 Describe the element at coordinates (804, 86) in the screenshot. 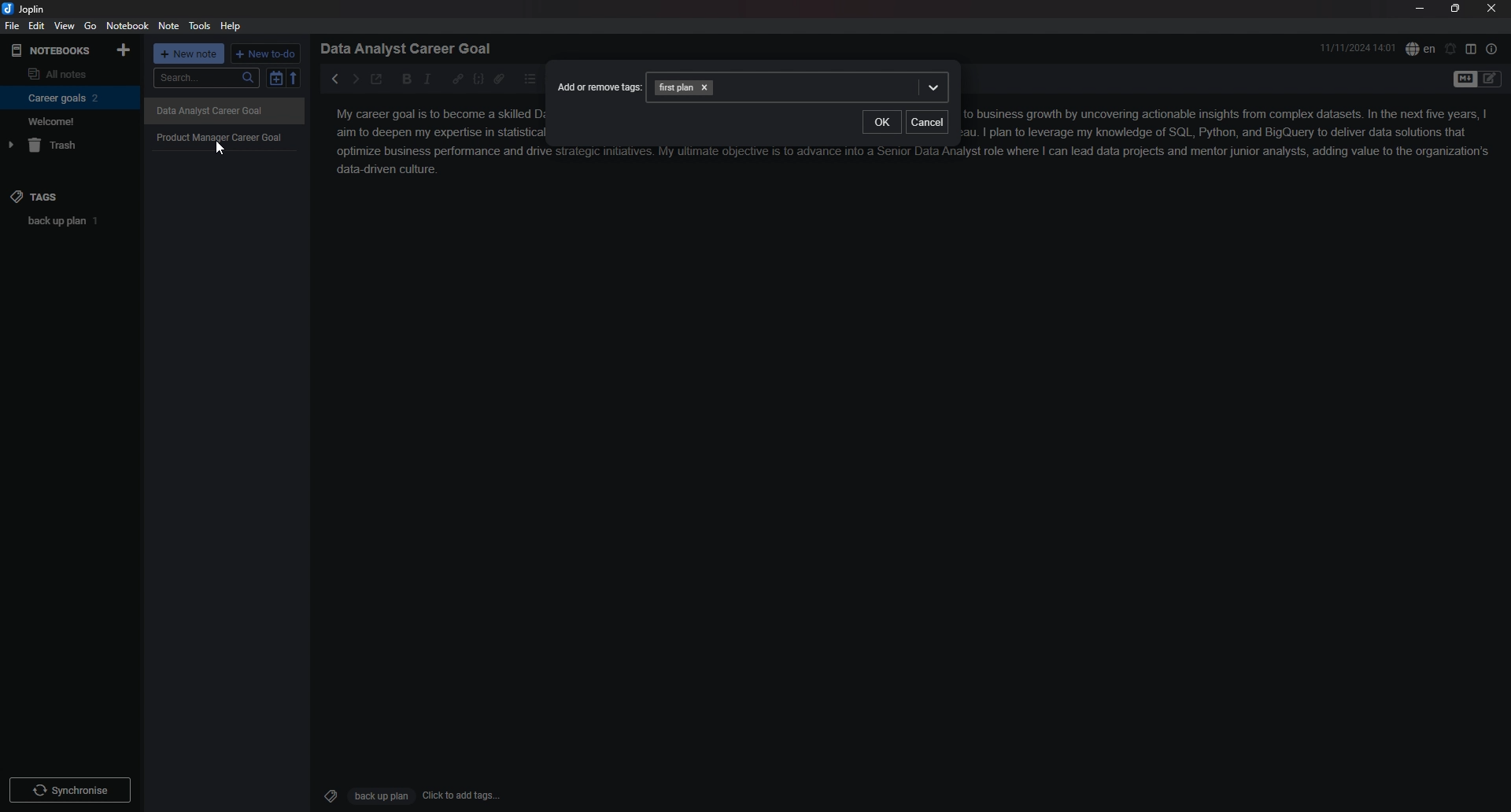

I see `first plan` at that location.